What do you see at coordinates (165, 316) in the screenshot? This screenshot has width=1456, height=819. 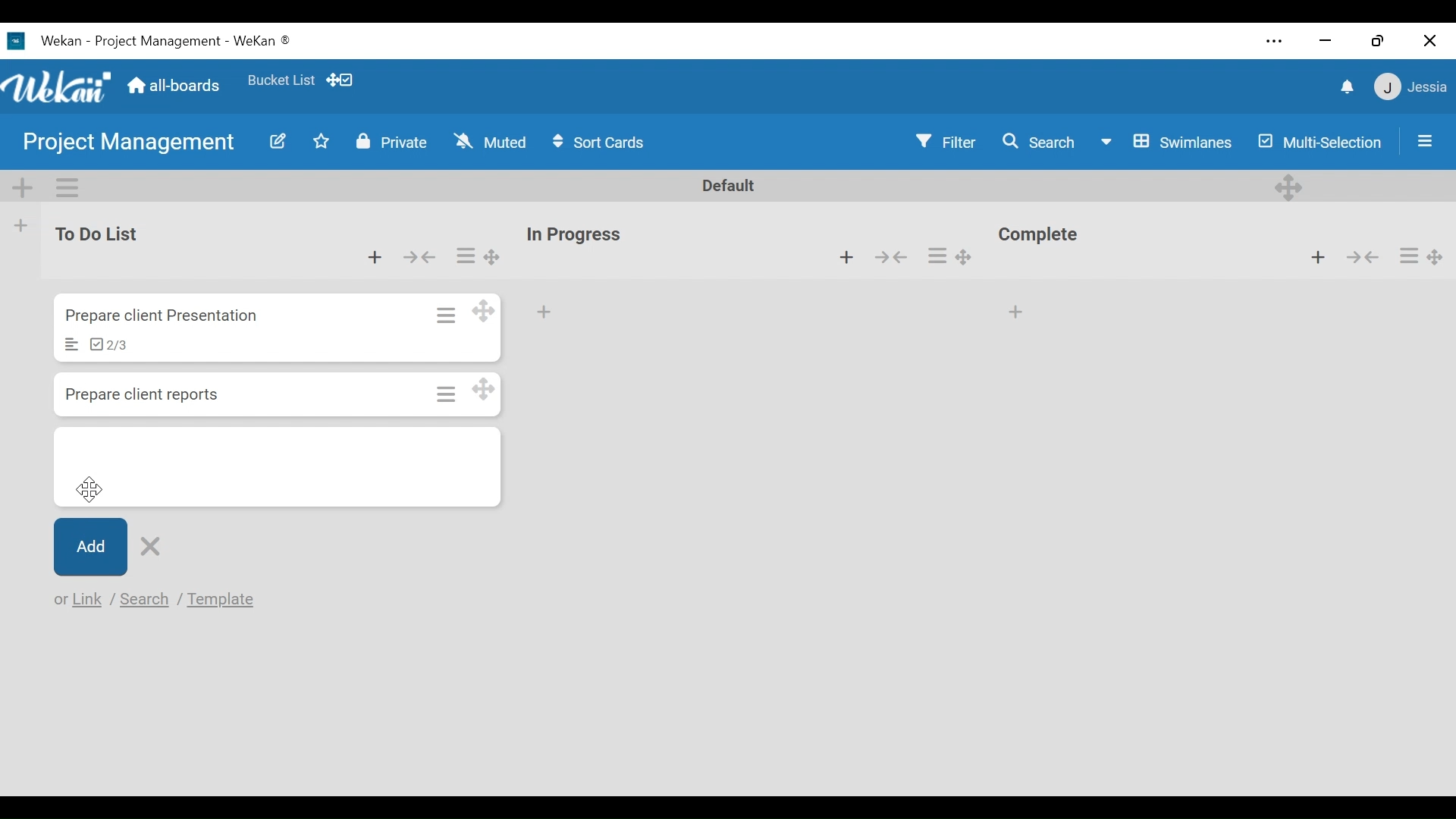 I see `prepare client presentation` at bounding box center [165, 316].